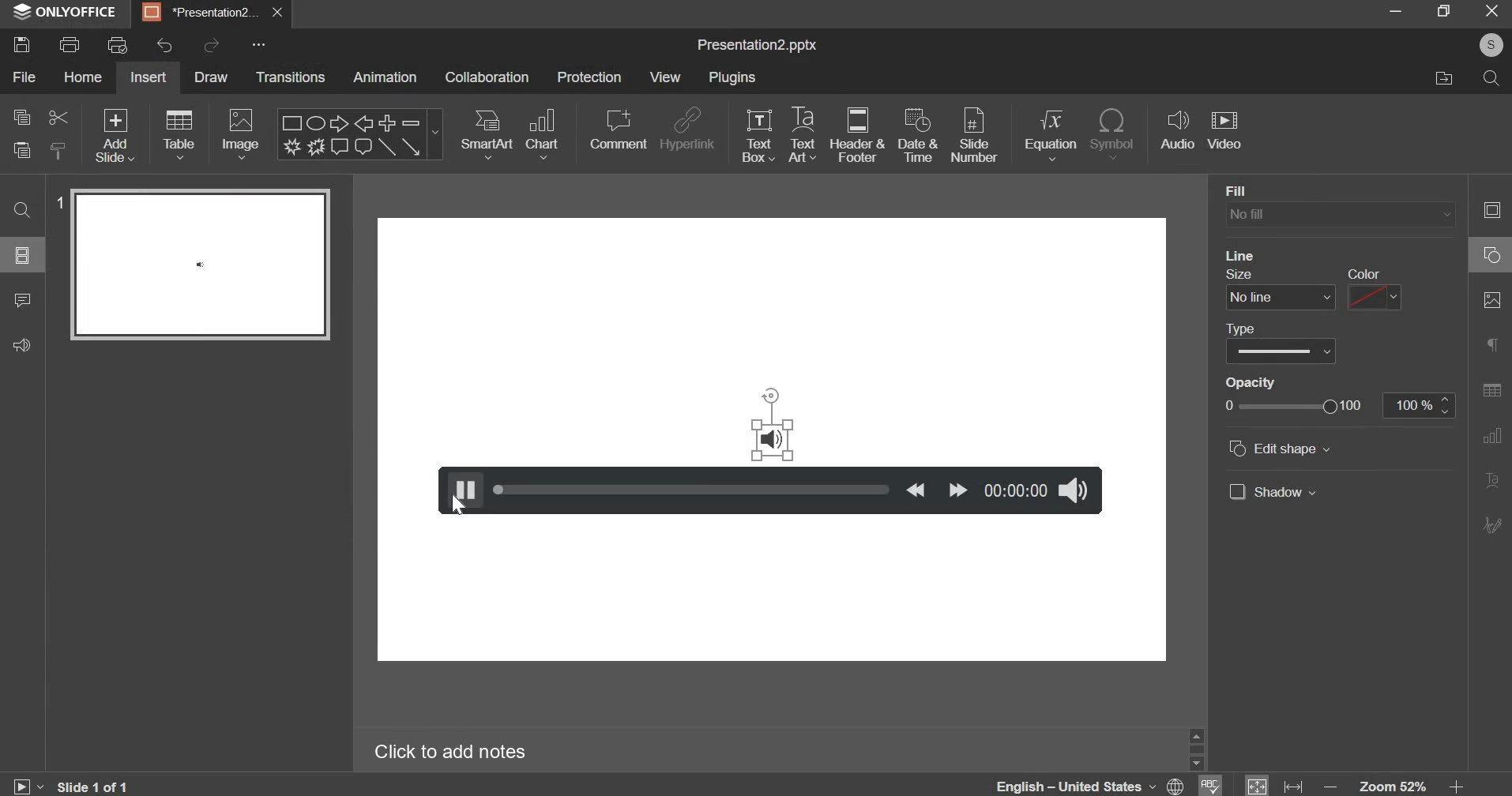  Describe the element at coordinates (1239, 274) in the screenshot. I see `size` at that location.